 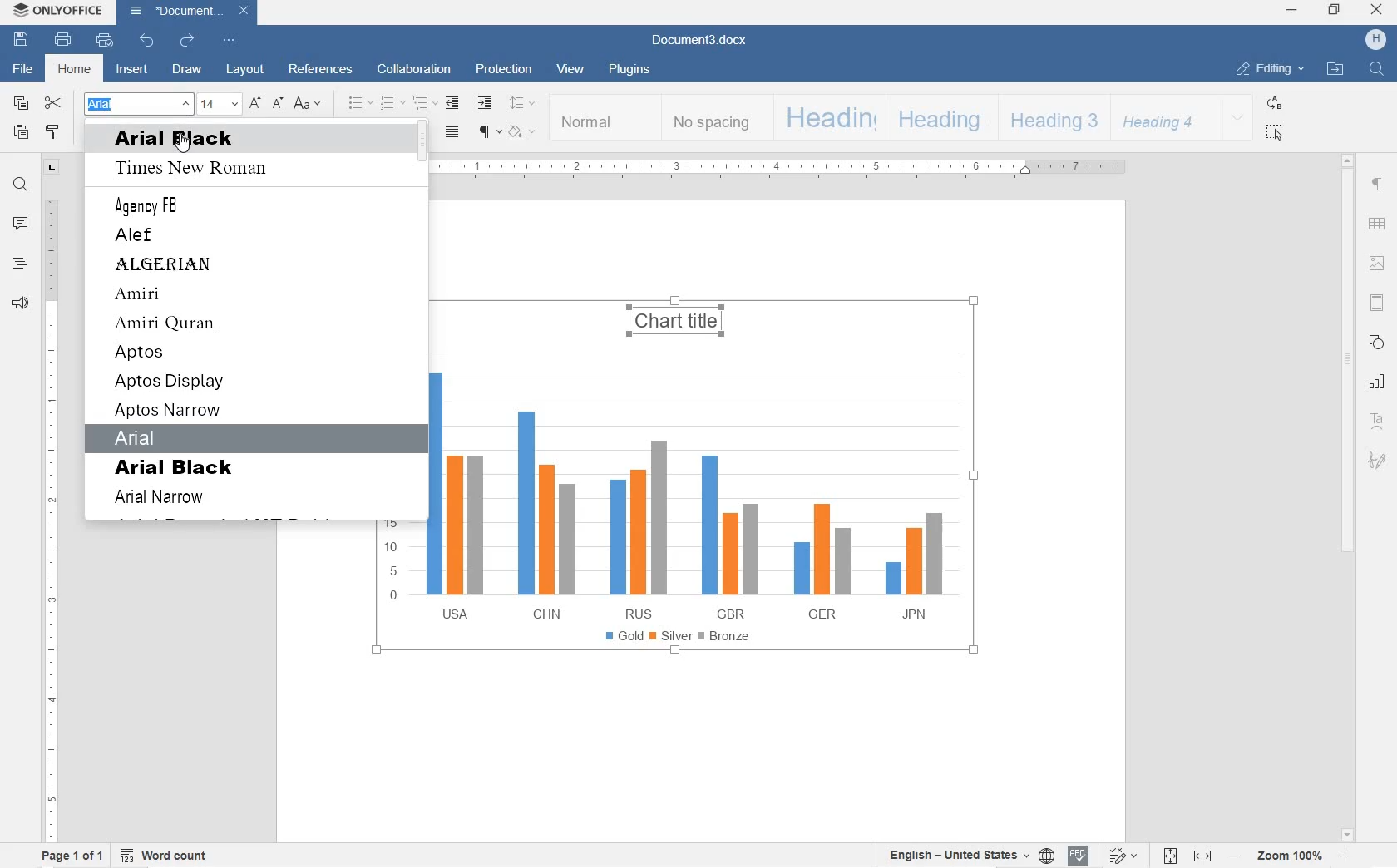 I want to click on HEADER & FOOTERS, so click(x=1376, y=303).